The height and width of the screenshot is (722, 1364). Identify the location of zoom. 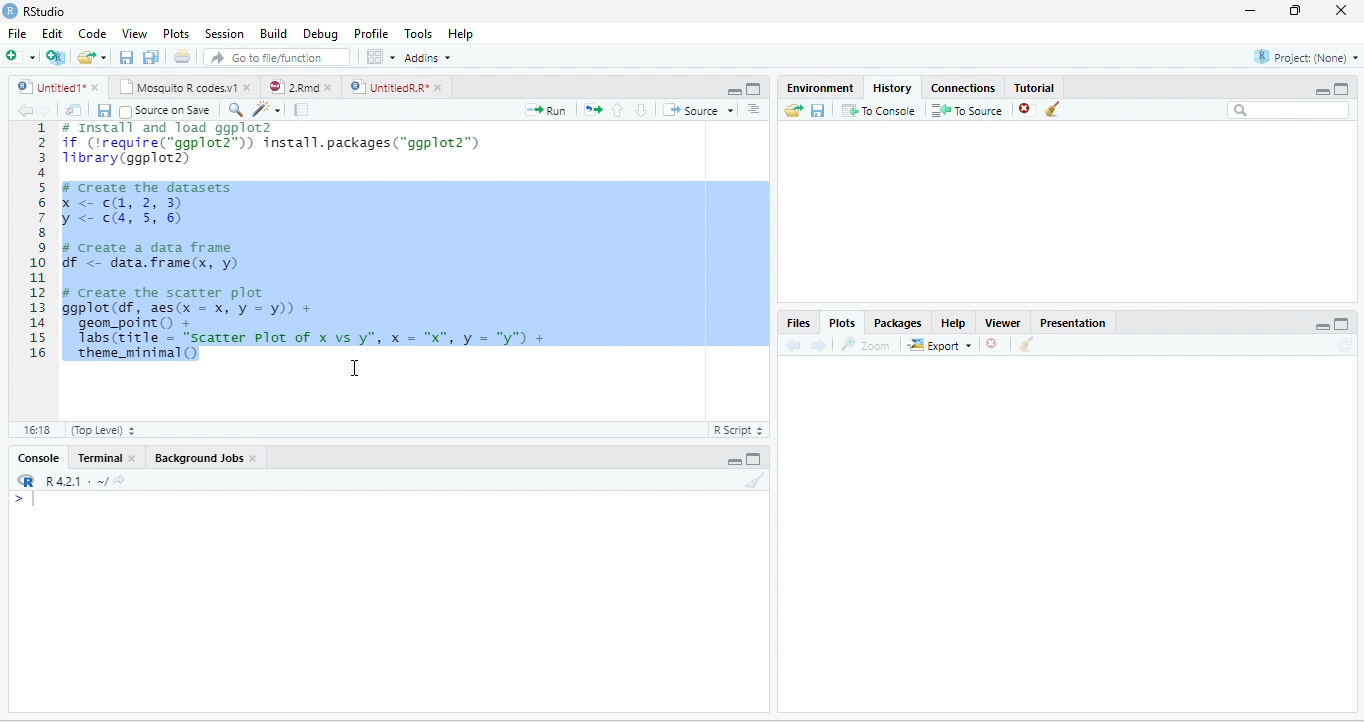
(866, 344).